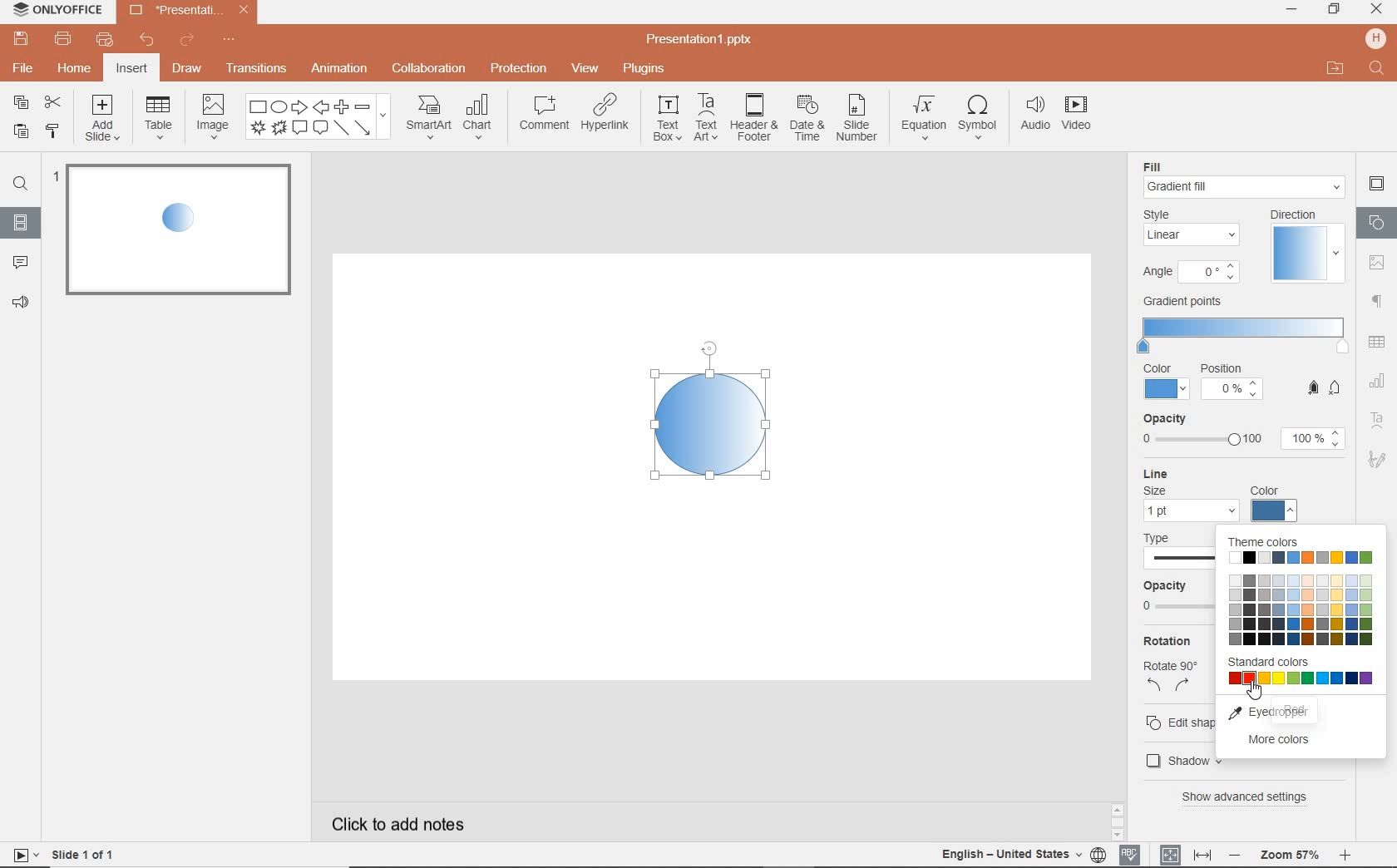  Describe the element at coordinates (1079, 115) in the screenshot. I see `videos` at that location.